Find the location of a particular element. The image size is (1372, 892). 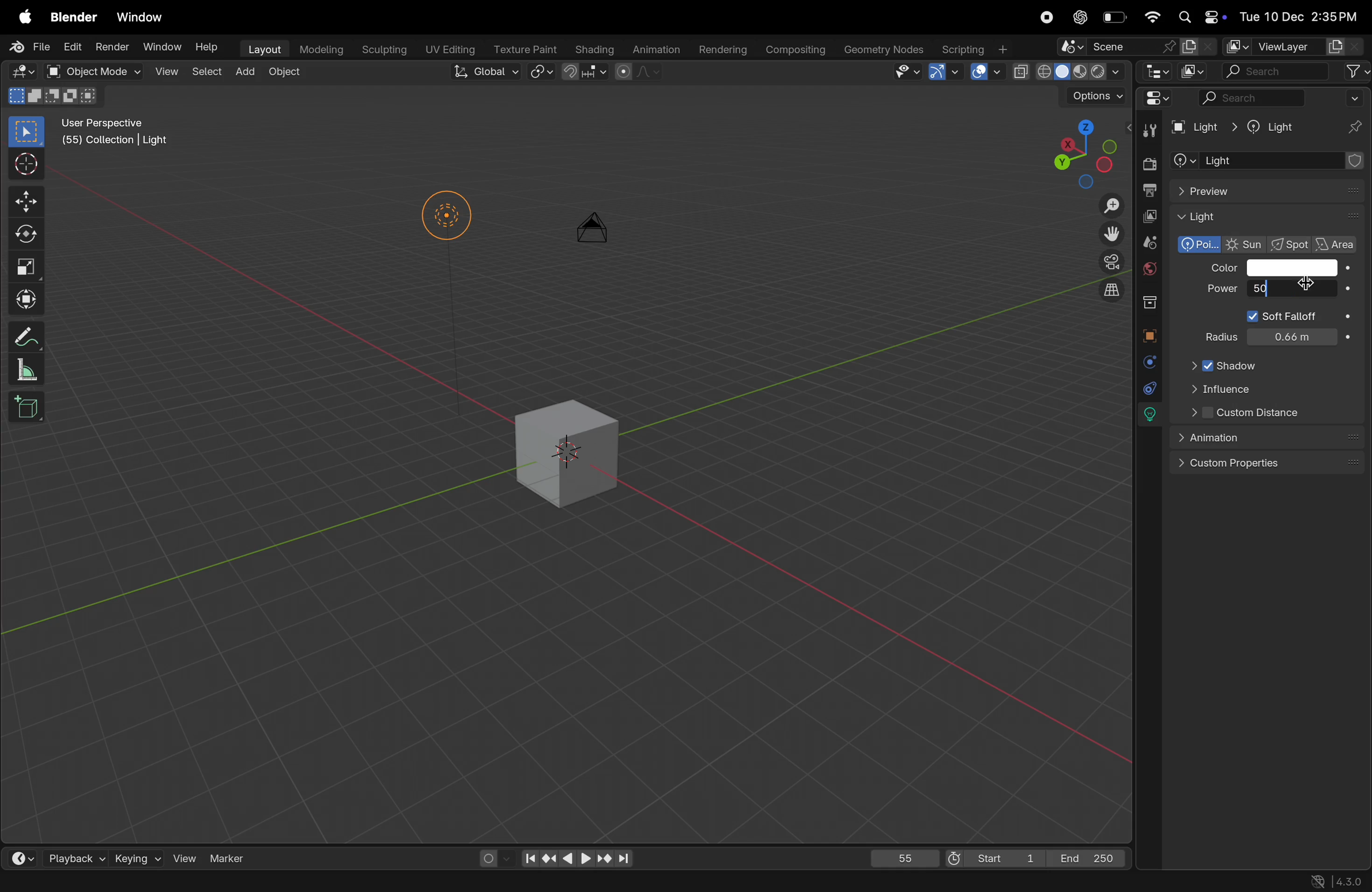

world is located at coordinates (1150, 270).